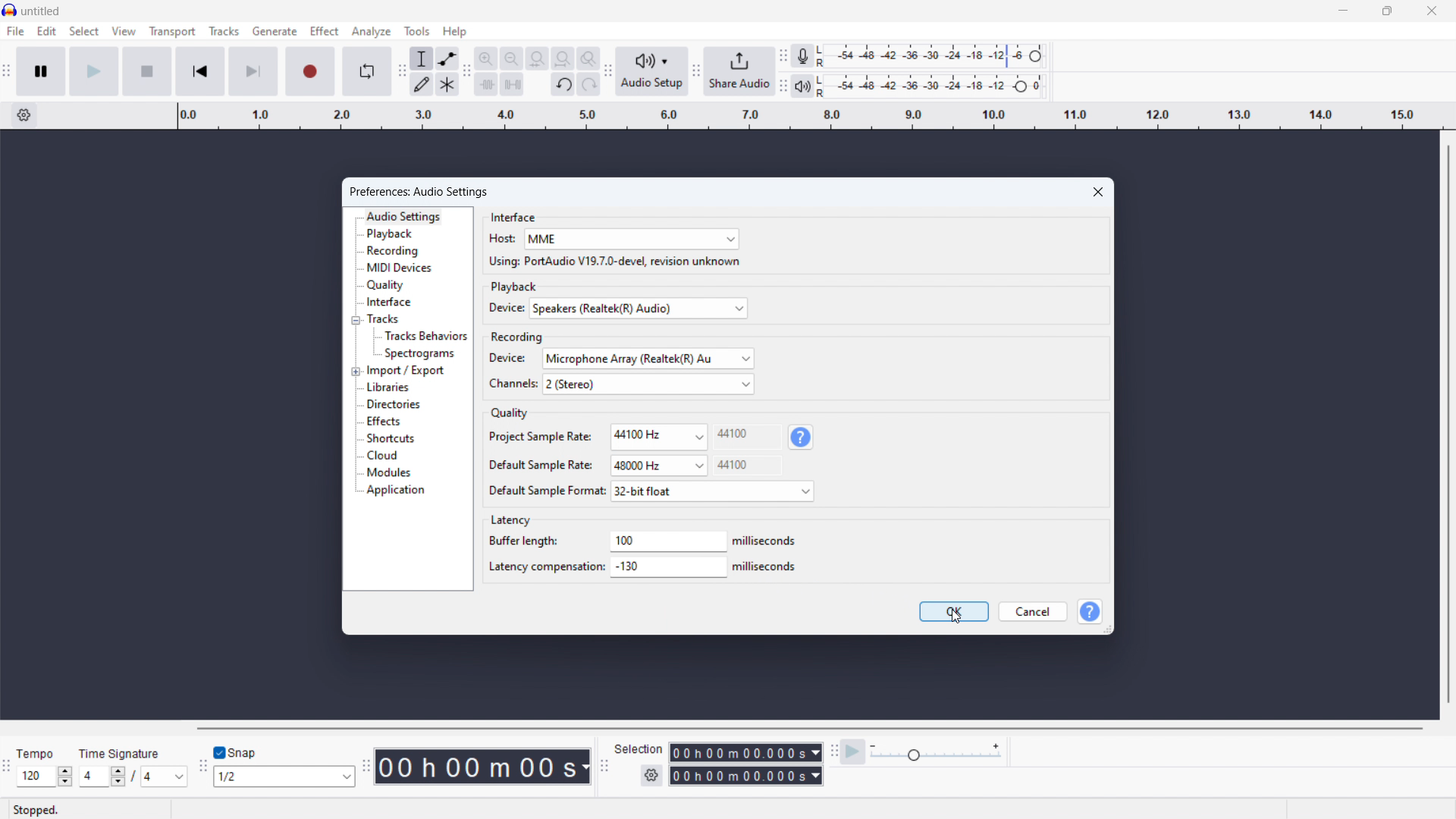 Image resolution: width=1456 pixels, height=819 pixels. Describe the element at coordinates (512, 59) in the screenshot. I see `zoom out` at that location.